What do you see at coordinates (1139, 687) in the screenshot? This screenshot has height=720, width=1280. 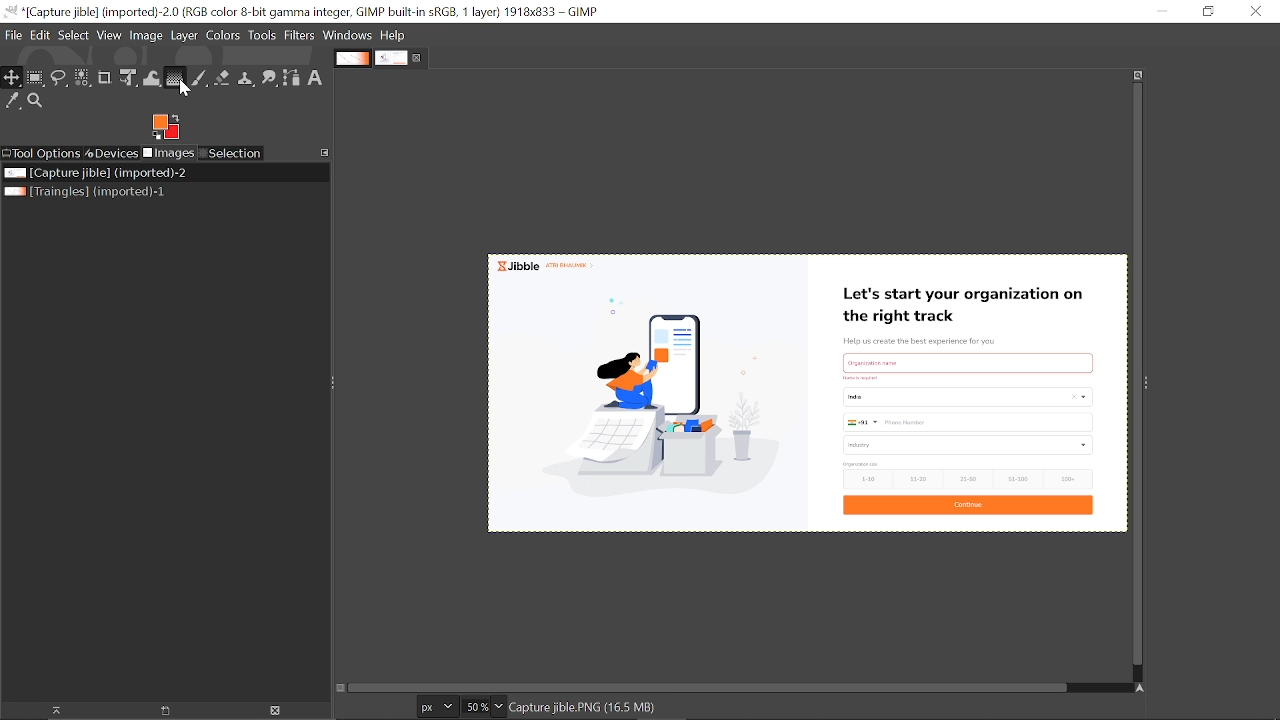 I see `Navigate the image display` at bounding box center [1139, 687].